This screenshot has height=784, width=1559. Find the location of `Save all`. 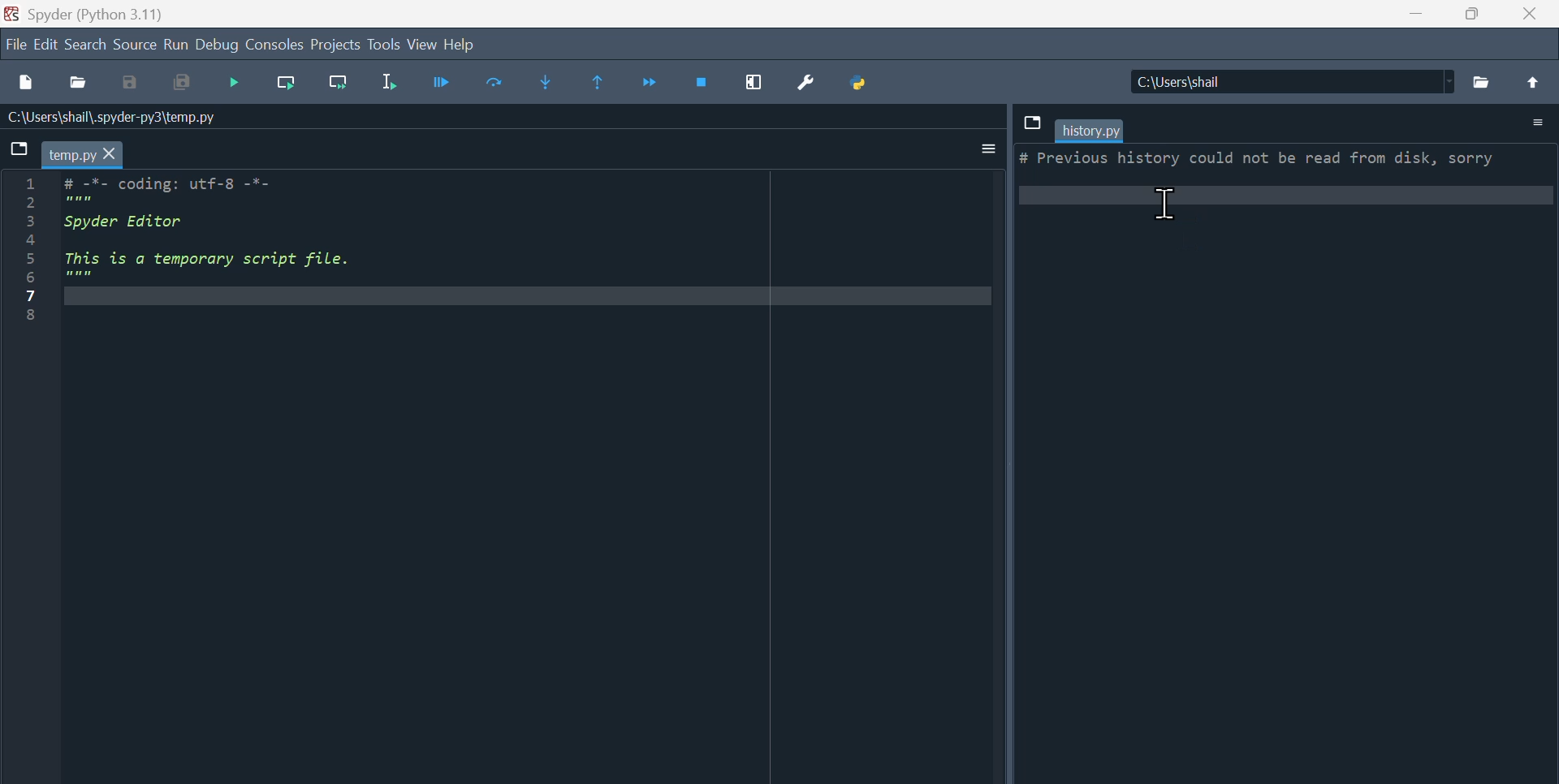

Save all is located at coordinates (178, 84).